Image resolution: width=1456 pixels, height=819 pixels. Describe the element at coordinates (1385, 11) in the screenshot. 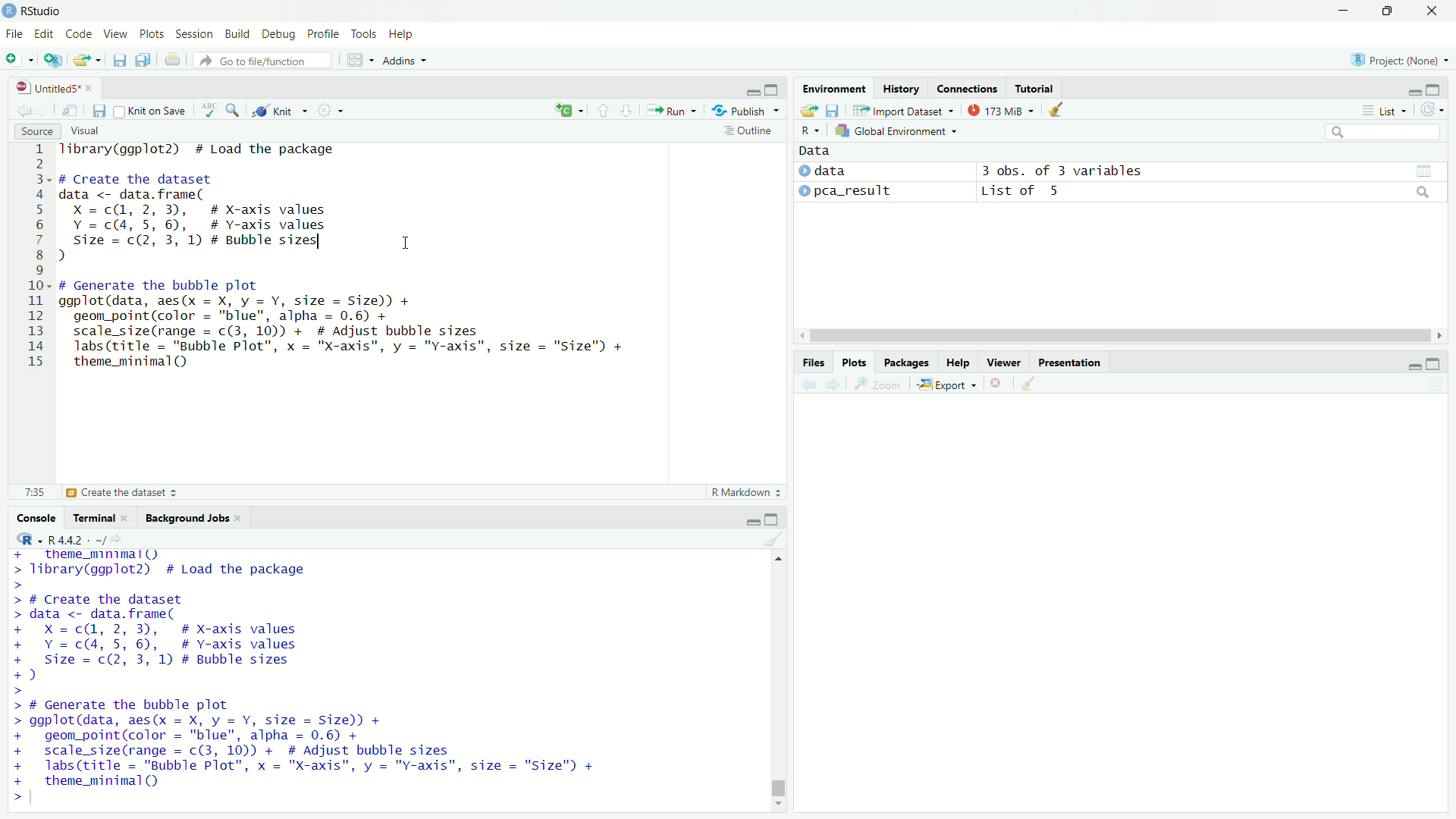

I see `maximize` at that location.